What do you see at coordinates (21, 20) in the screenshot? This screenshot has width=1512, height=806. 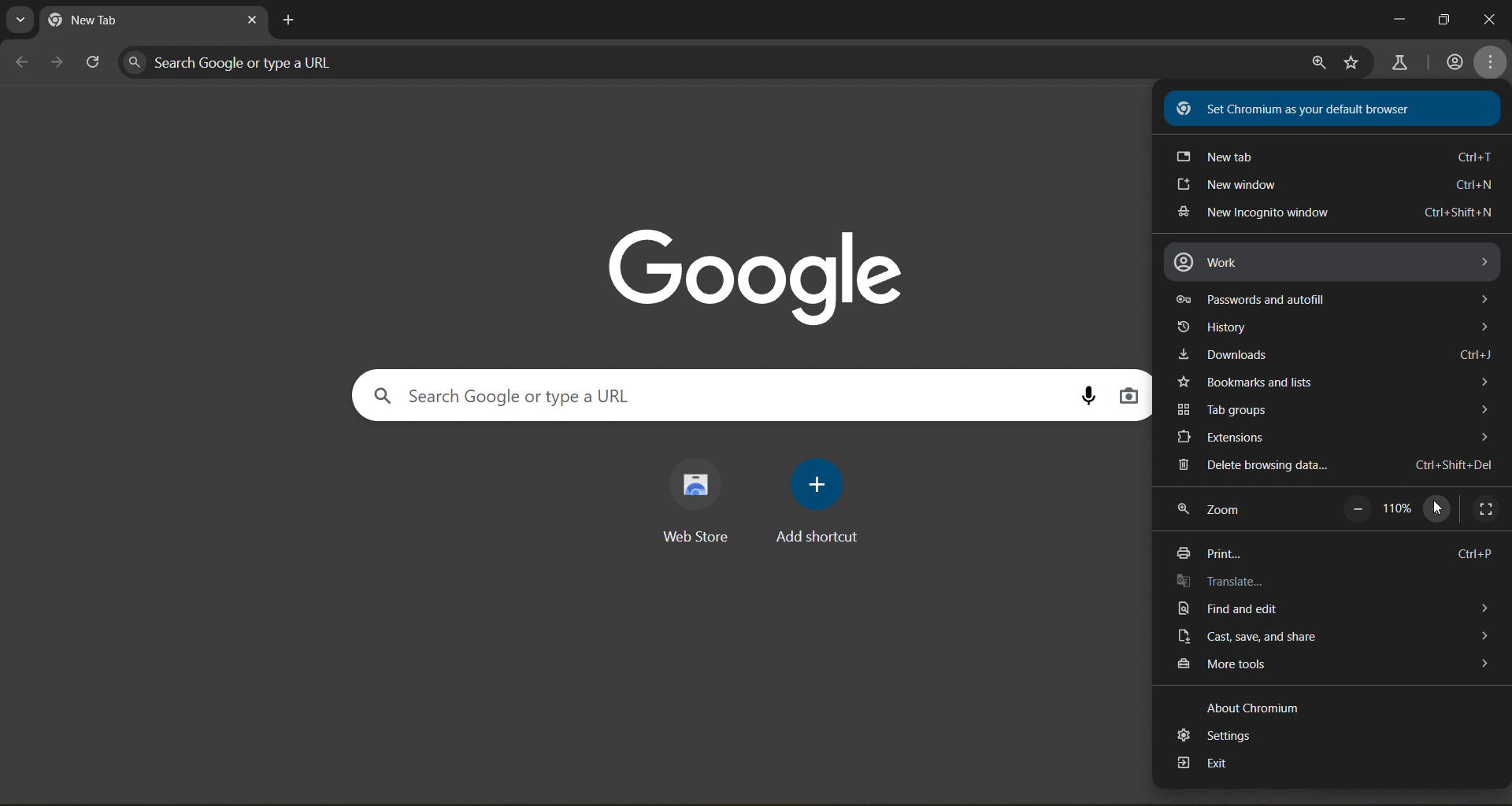 I see `search tab` at bounding box center [21, 20].